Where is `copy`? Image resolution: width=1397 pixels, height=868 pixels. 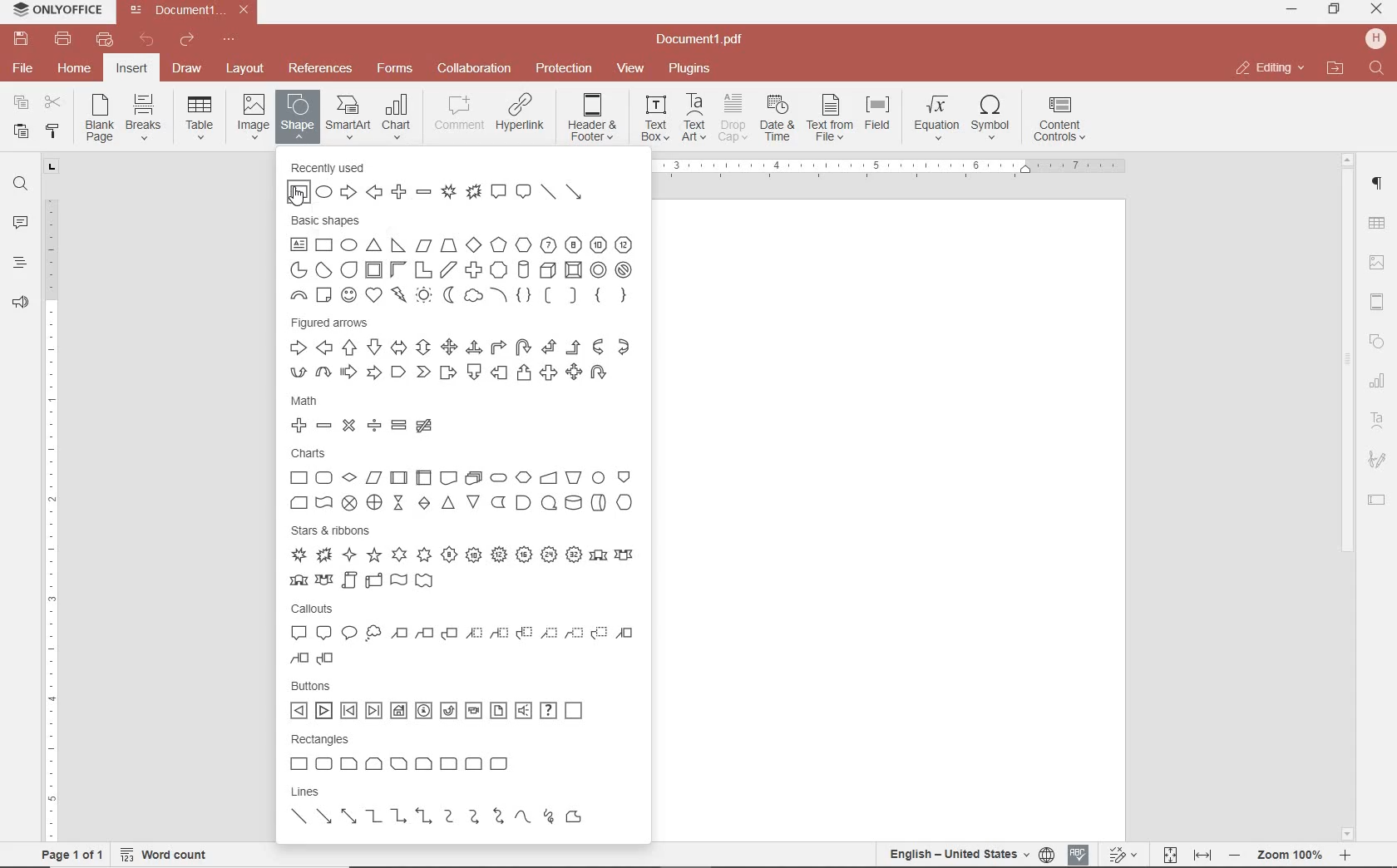 copy is located at coordinates (21, 104).